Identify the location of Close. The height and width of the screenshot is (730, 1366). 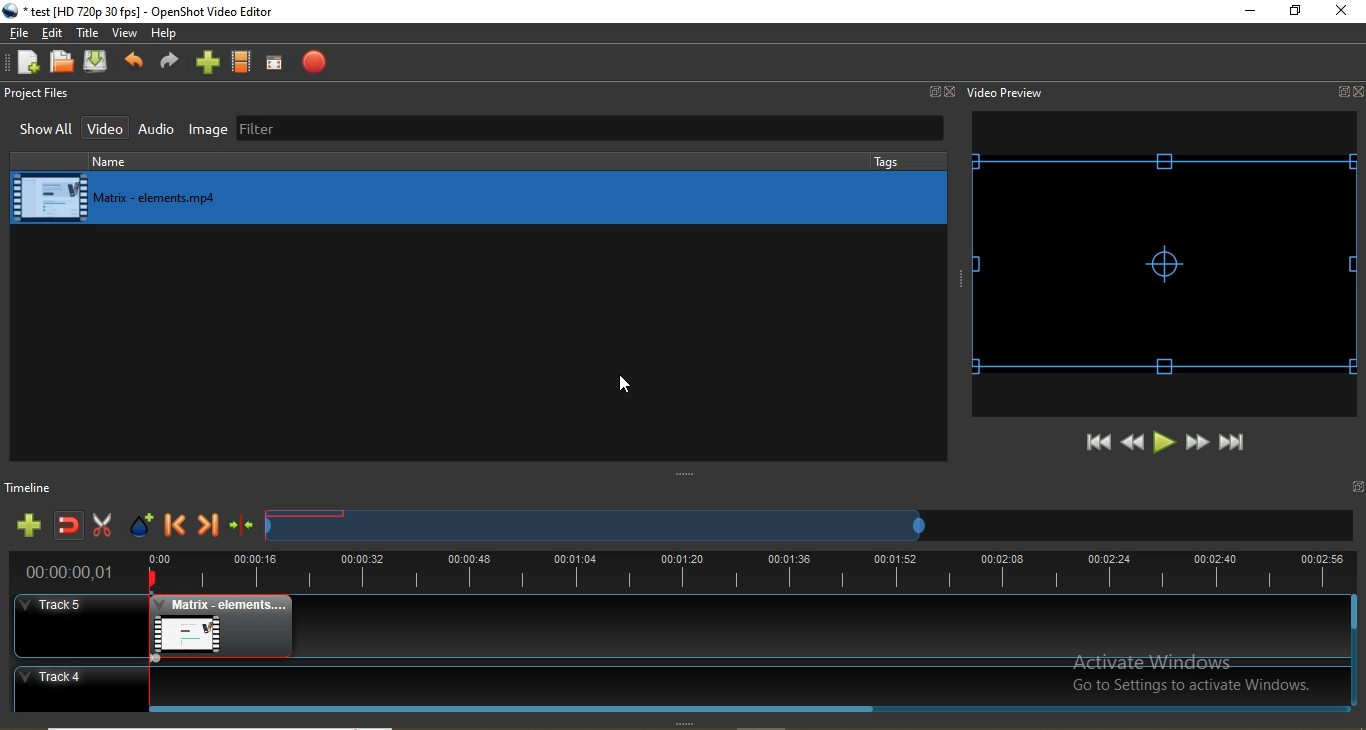
(1359, 92).